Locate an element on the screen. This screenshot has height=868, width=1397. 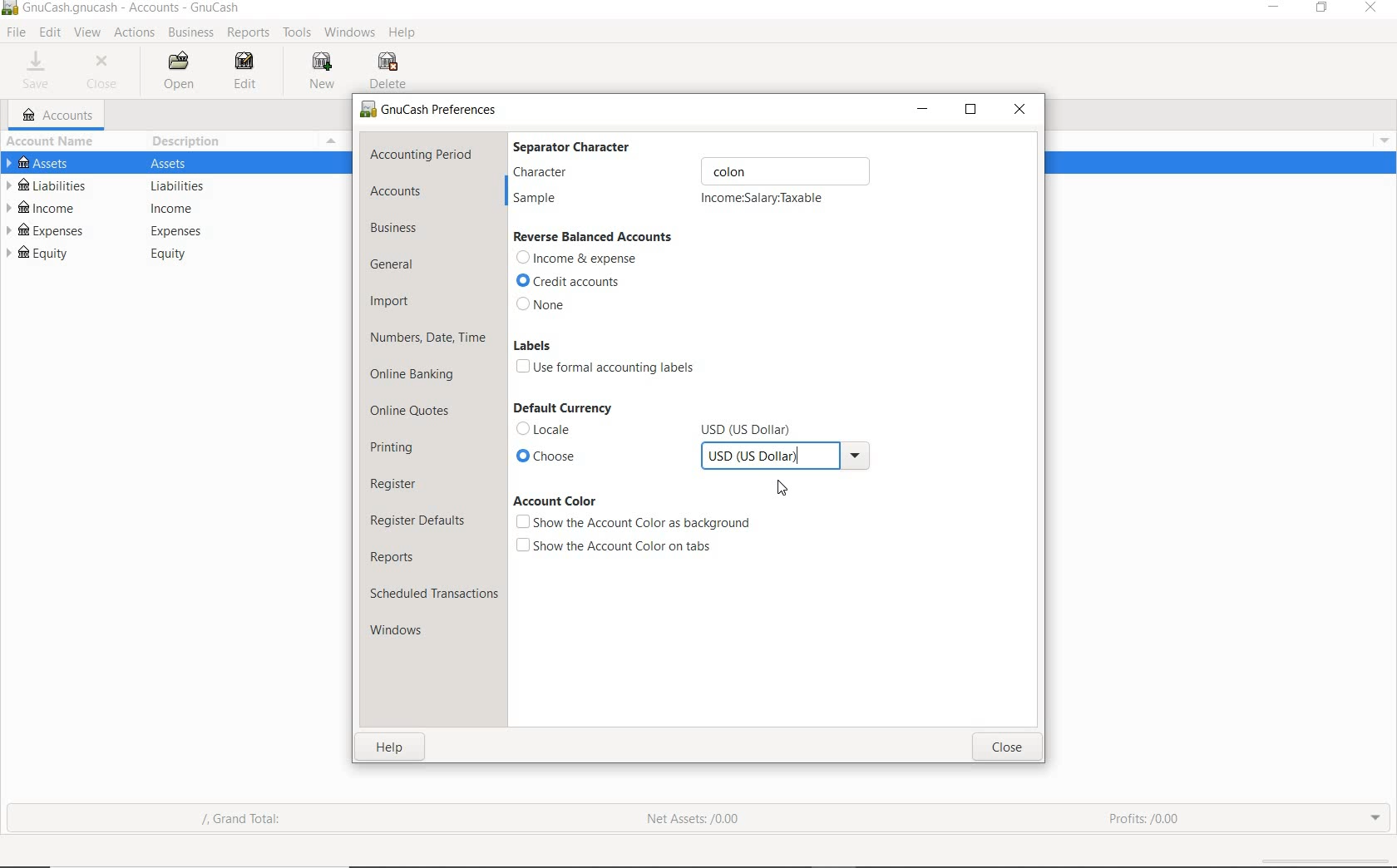
 is located at coordinates (8, 10).